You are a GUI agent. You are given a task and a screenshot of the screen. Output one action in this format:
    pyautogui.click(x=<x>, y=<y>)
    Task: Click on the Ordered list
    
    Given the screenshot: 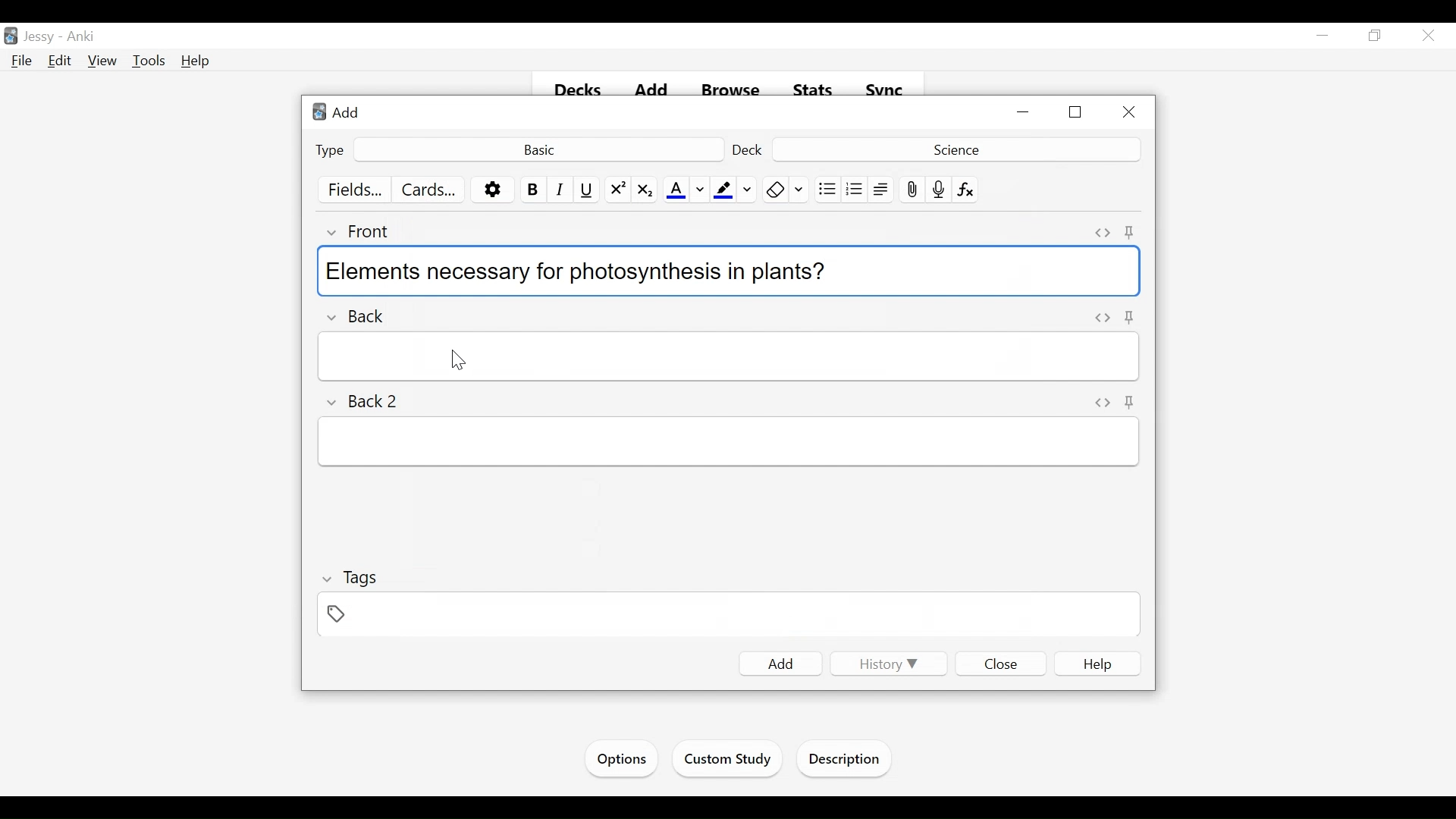 What is the action you would take?
    pyautogui.click(x=855, y=190)
    